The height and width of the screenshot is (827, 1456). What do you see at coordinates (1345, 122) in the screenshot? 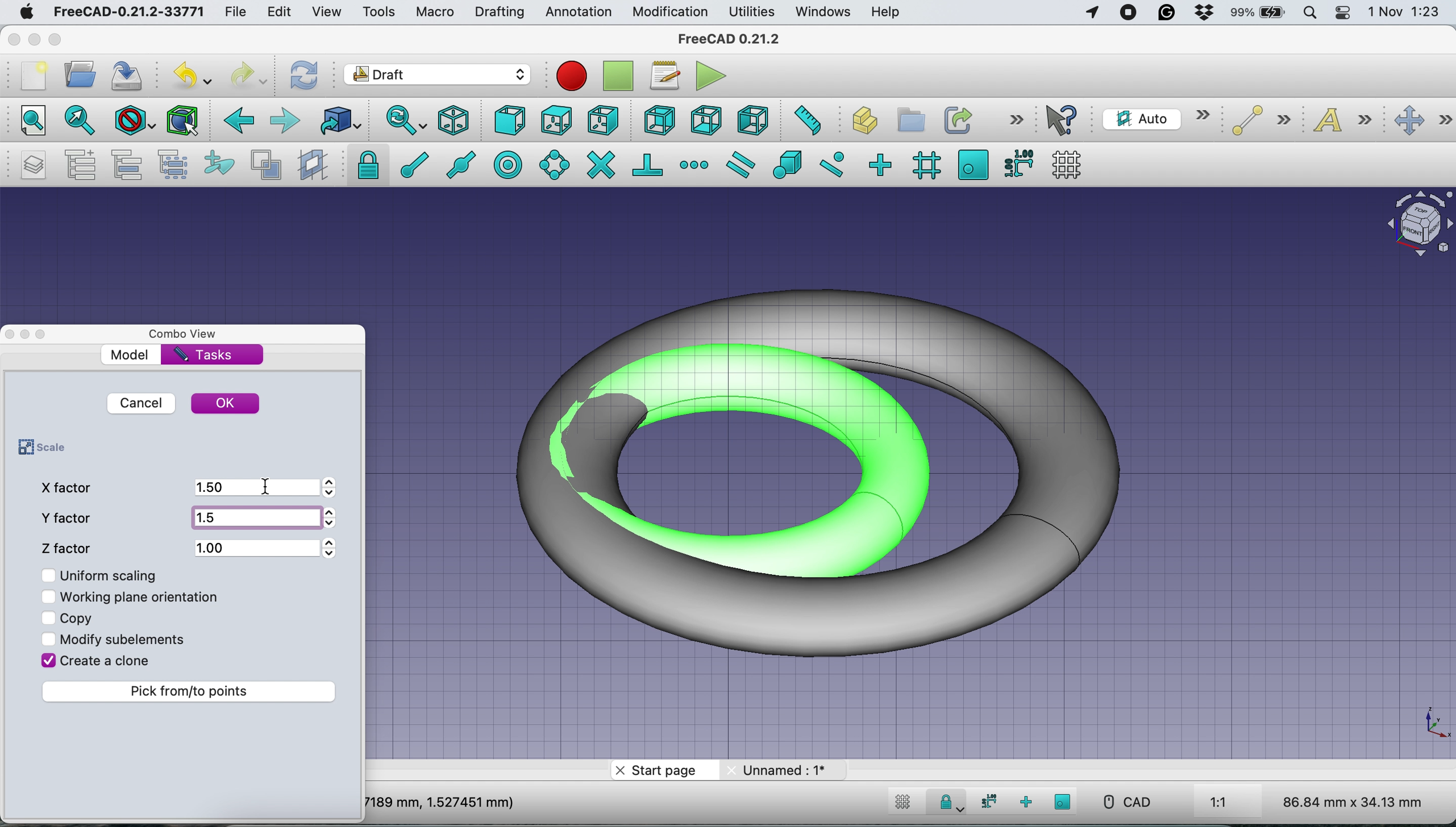
I see `text` at bounding box center [1345, 122].